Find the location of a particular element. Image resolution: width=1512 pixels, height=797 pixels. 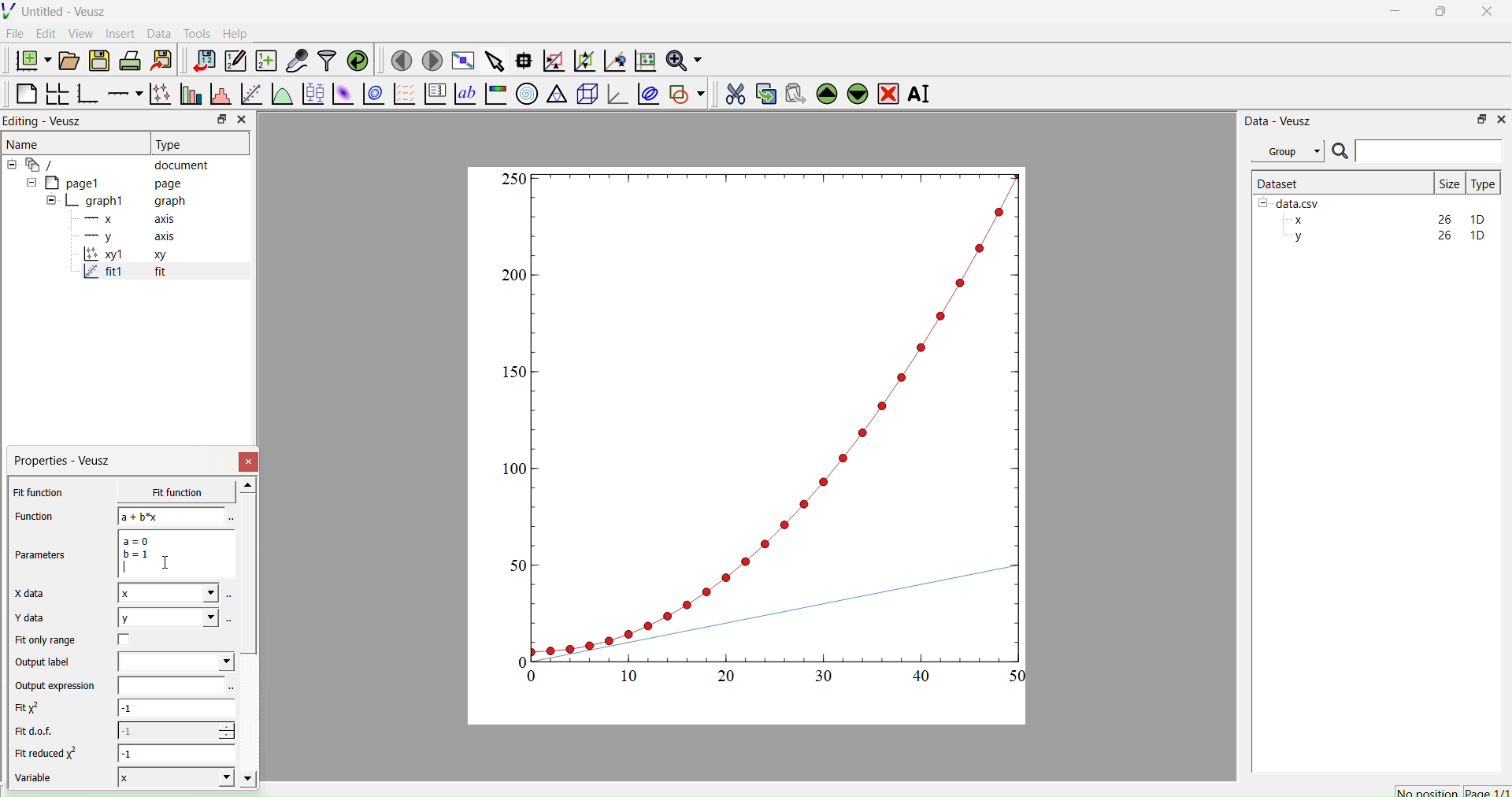

Previous page is located at coordinates (402, 61).